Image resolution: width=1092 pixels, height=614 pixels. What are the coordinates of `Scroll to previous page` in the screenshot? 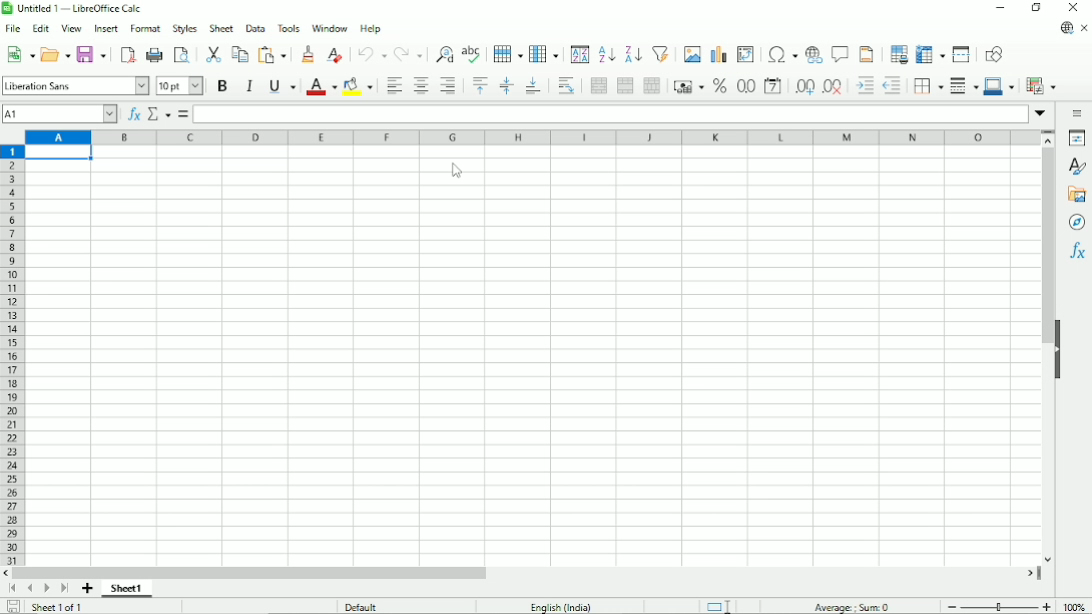 It's located at (29, 589).